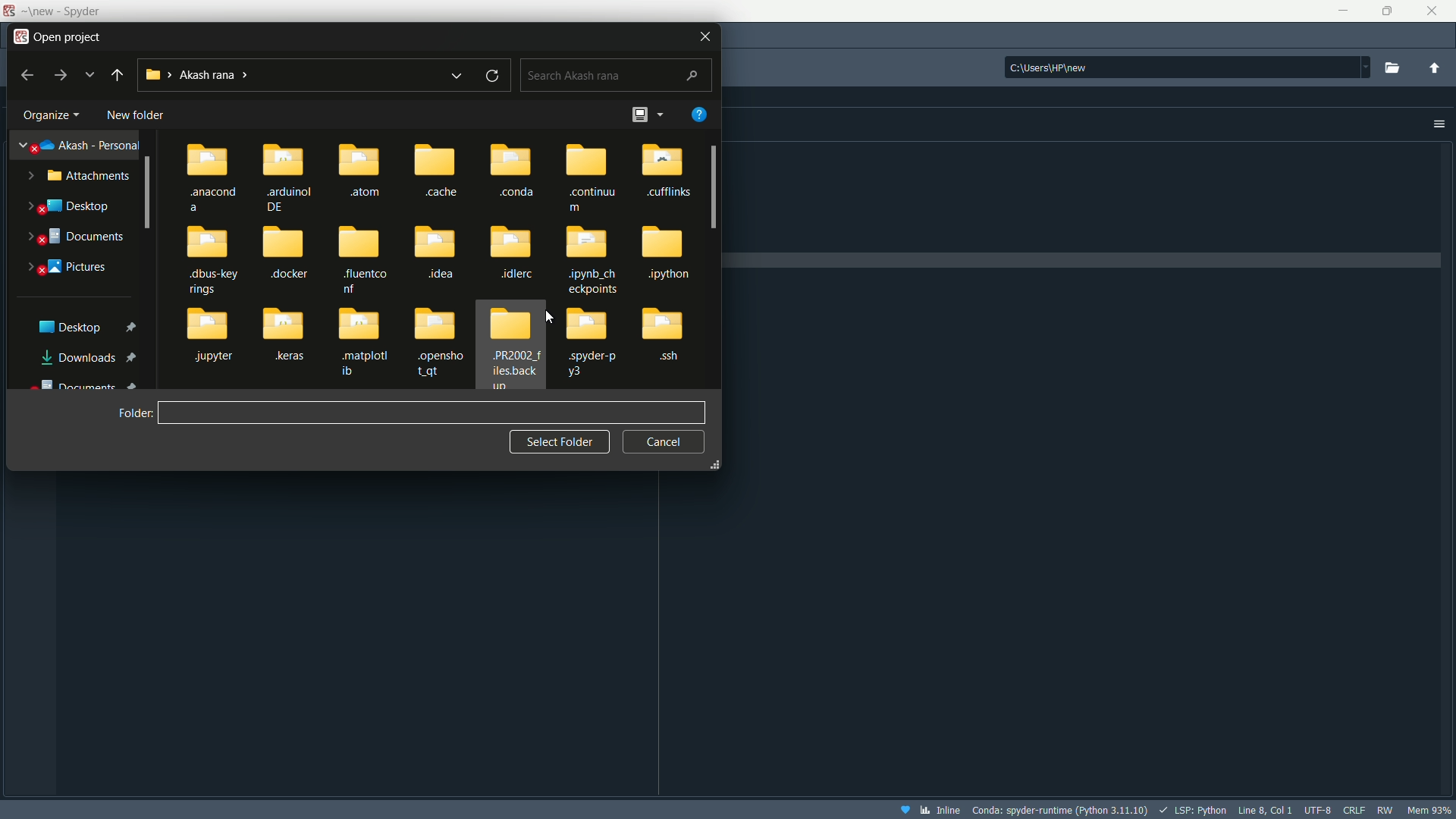 The height and width of the screenshot is (819, 1456). What do you see at coordinates (134, 115) in the screenshot?
I see `new folder` at bounding box center [134, 115].